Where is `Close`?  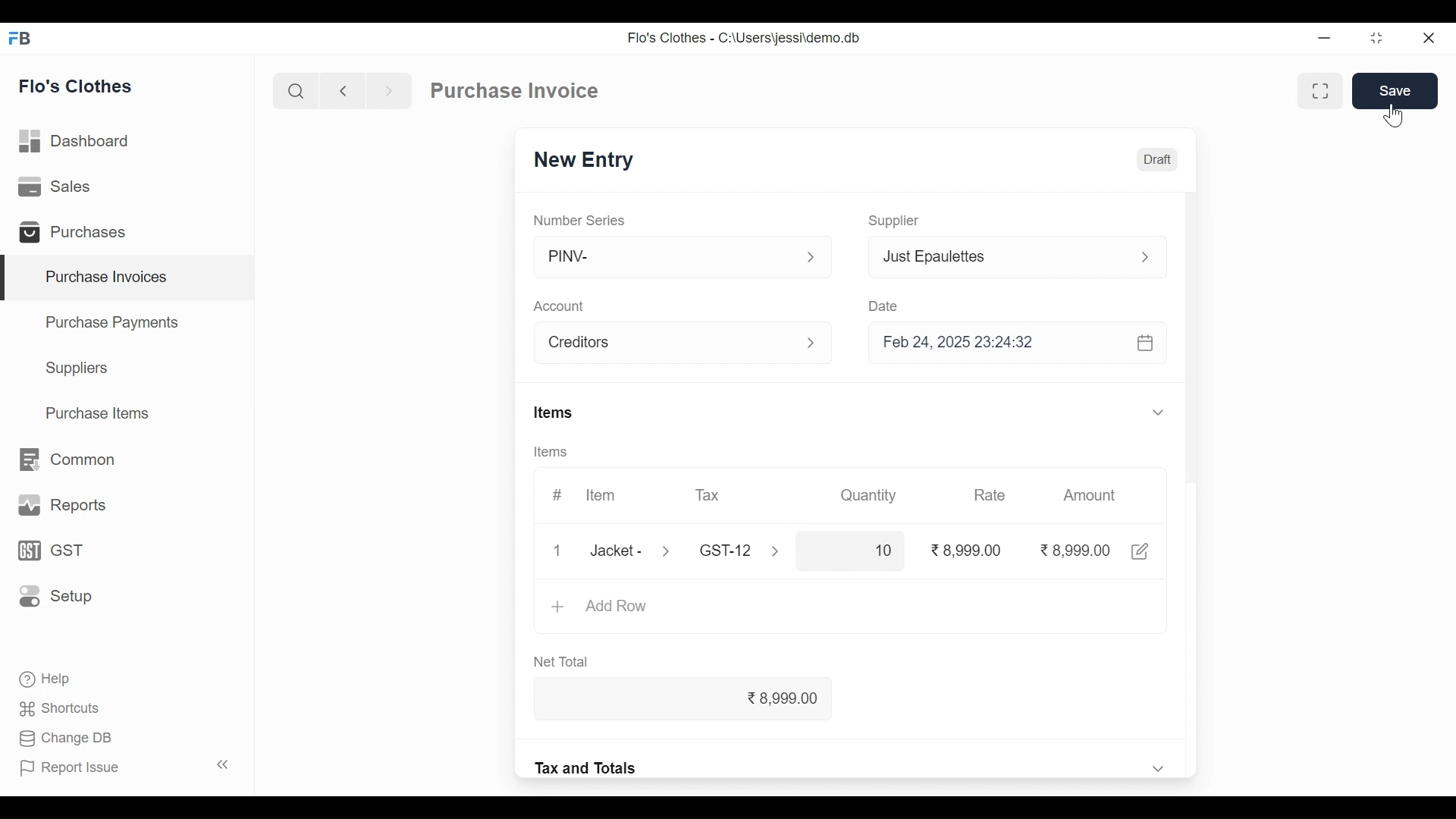
Close is located at coordinates (555, 551).